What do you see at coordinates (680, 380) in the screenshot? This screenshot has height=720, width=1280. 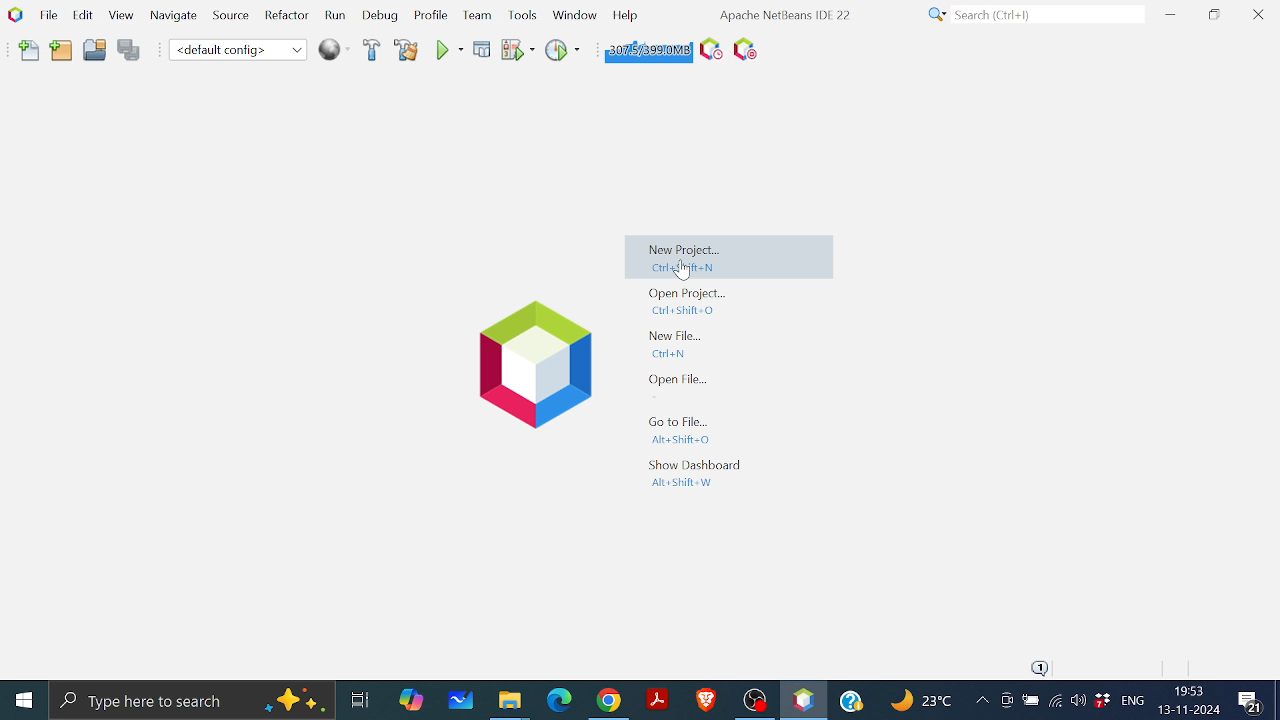 I see `Open file` at bounding box center [680, 380].